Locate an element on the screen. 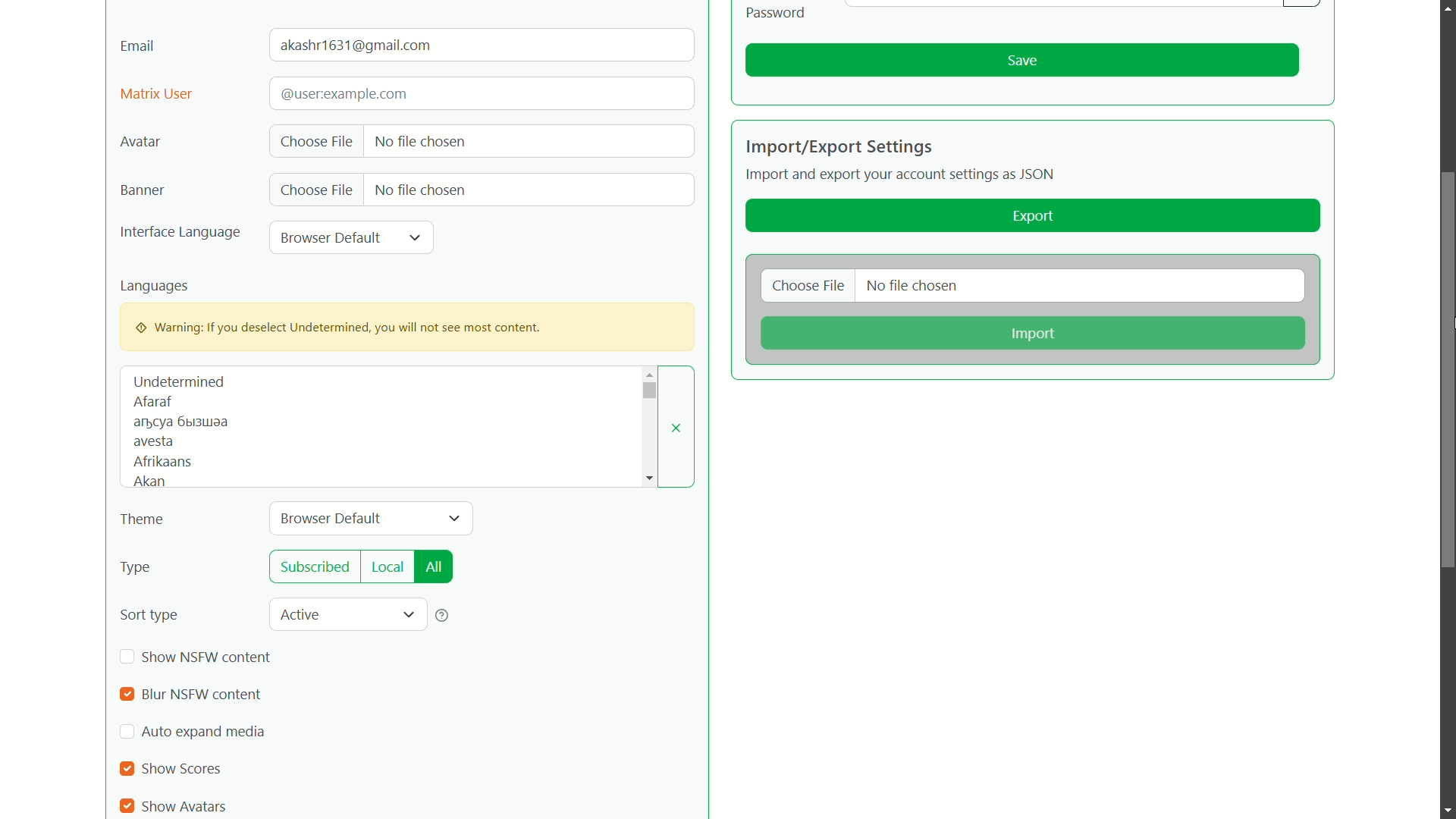 Image resolution: width=1456 pixels, height=819 pixels. choose file is located at coordinates (318, 190).